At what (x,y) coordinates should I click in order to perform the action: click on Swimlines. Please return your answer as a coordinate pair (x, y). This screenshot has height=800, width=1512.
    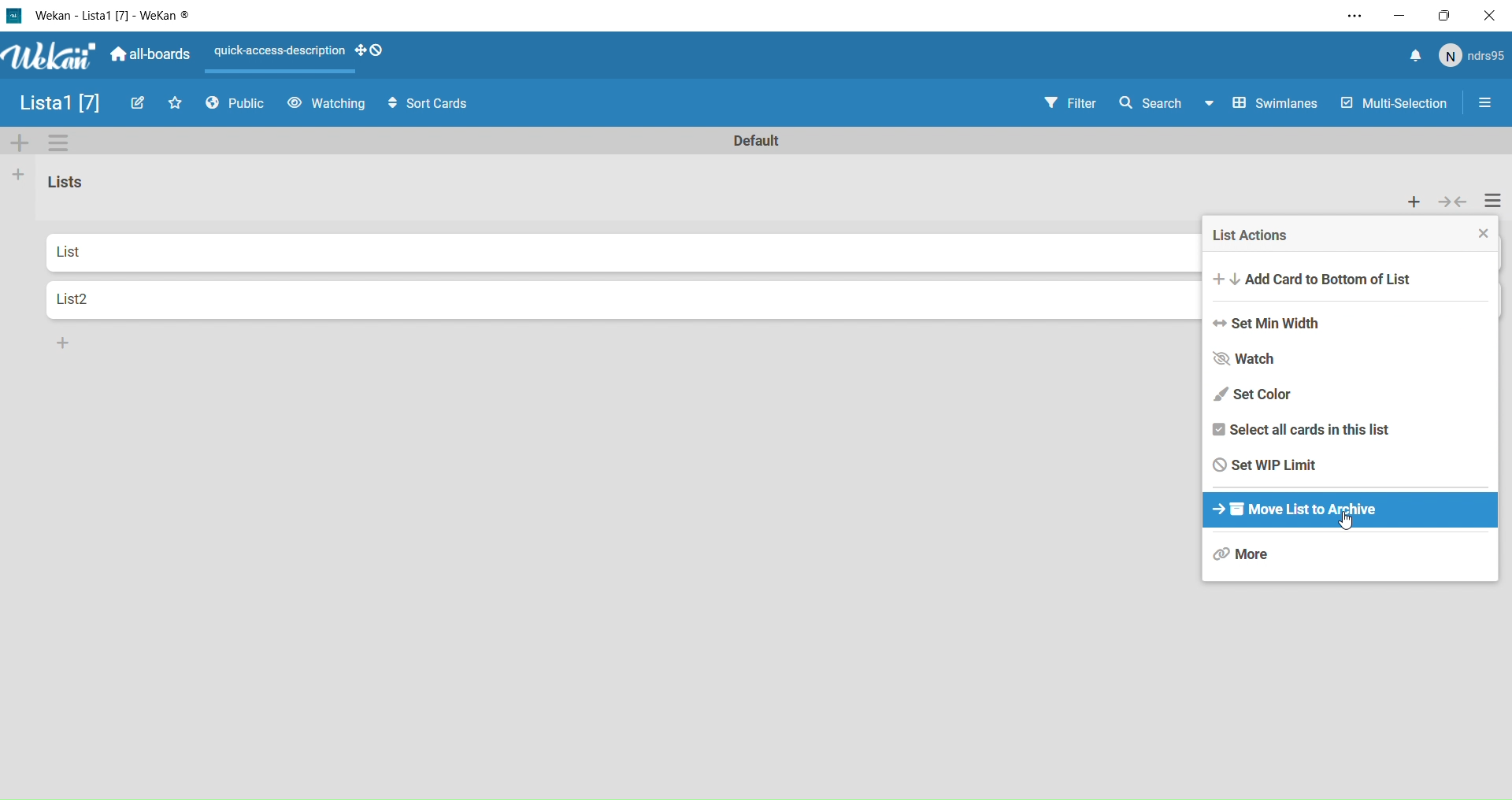
    Looking at the image, I should click on (1262, 106).